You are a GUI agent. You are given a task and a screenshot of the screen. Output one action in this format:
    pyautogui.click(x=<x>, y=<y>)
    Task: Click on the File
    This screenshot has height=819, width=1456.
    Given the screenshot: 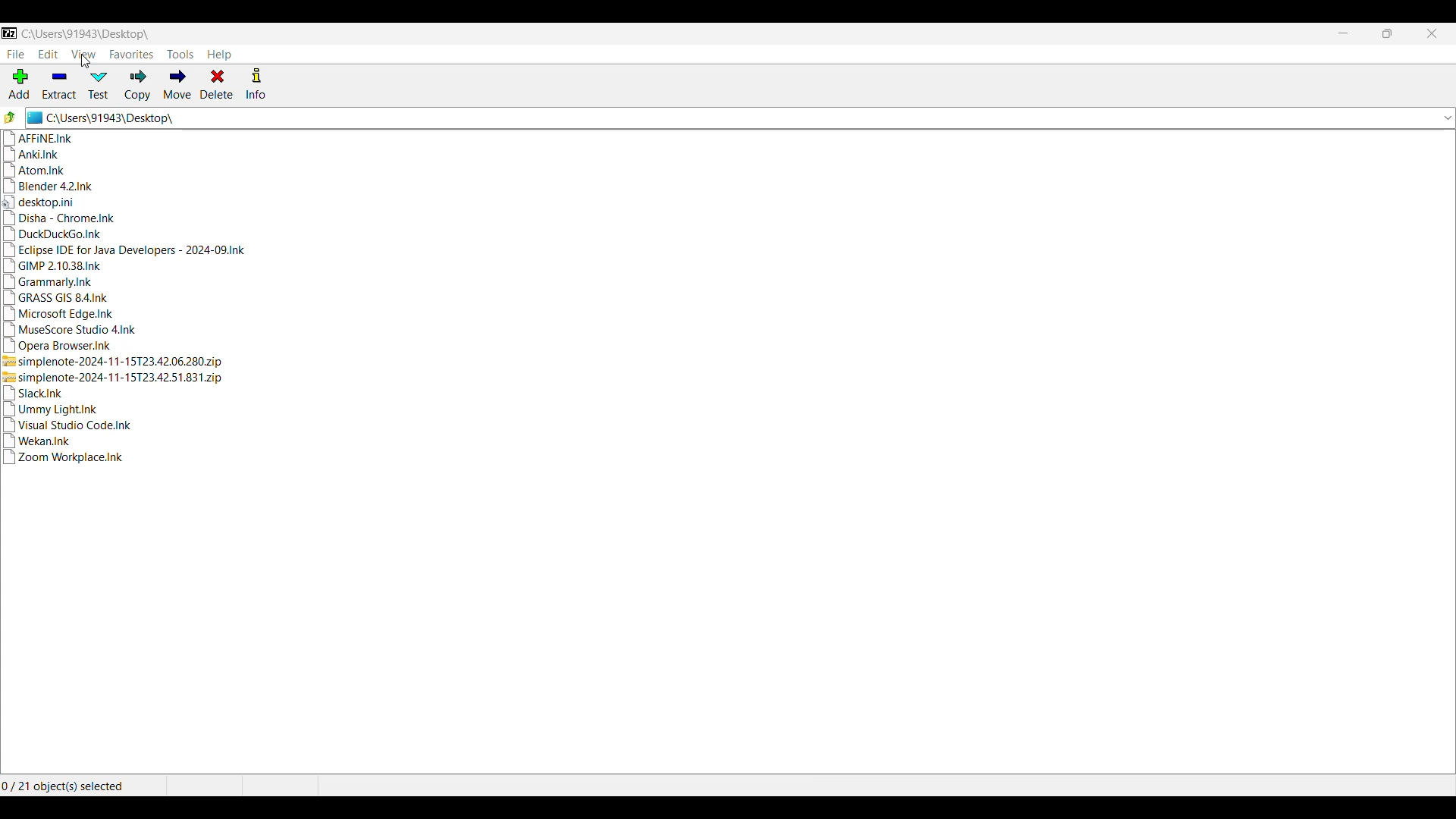 What is the action you would take?
    pyautogui.click(x=16, y=55)
    